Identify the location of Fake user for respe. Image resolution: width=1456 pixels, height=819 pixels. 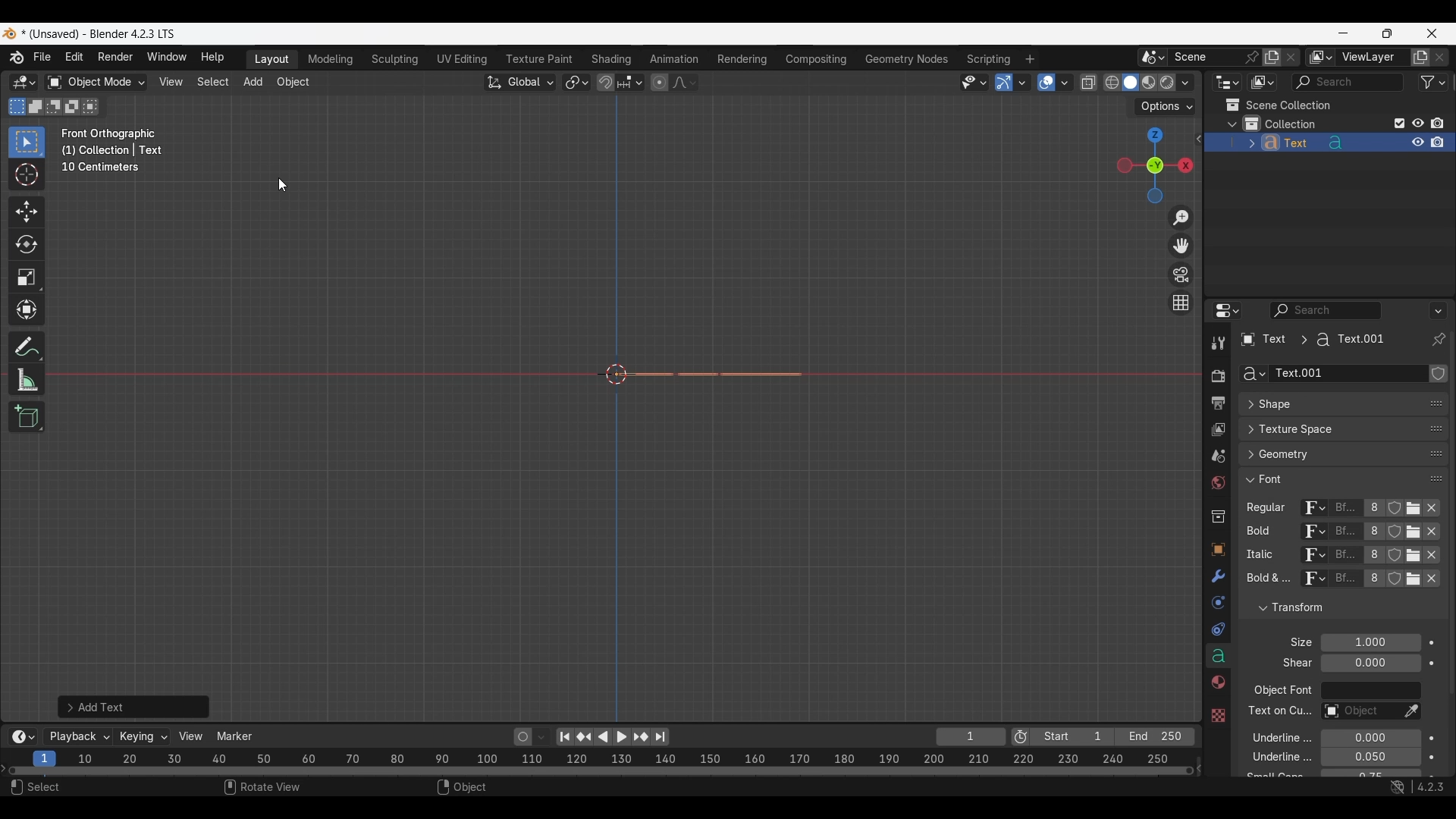
(1395, 544).